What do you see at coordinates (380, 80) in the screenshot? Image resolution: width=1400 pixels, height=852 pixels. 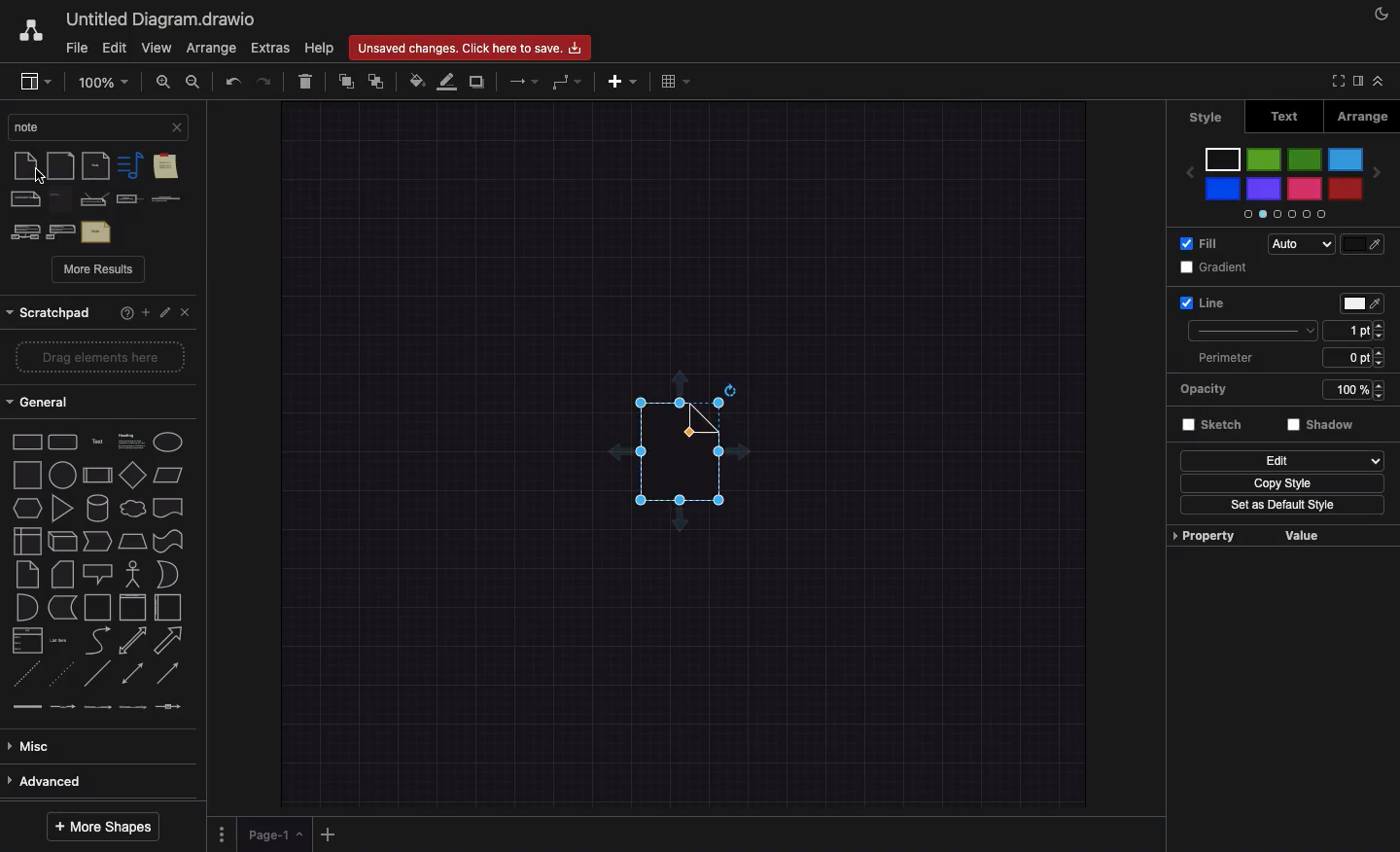 I see `To back` at bounding box center [380, 80].